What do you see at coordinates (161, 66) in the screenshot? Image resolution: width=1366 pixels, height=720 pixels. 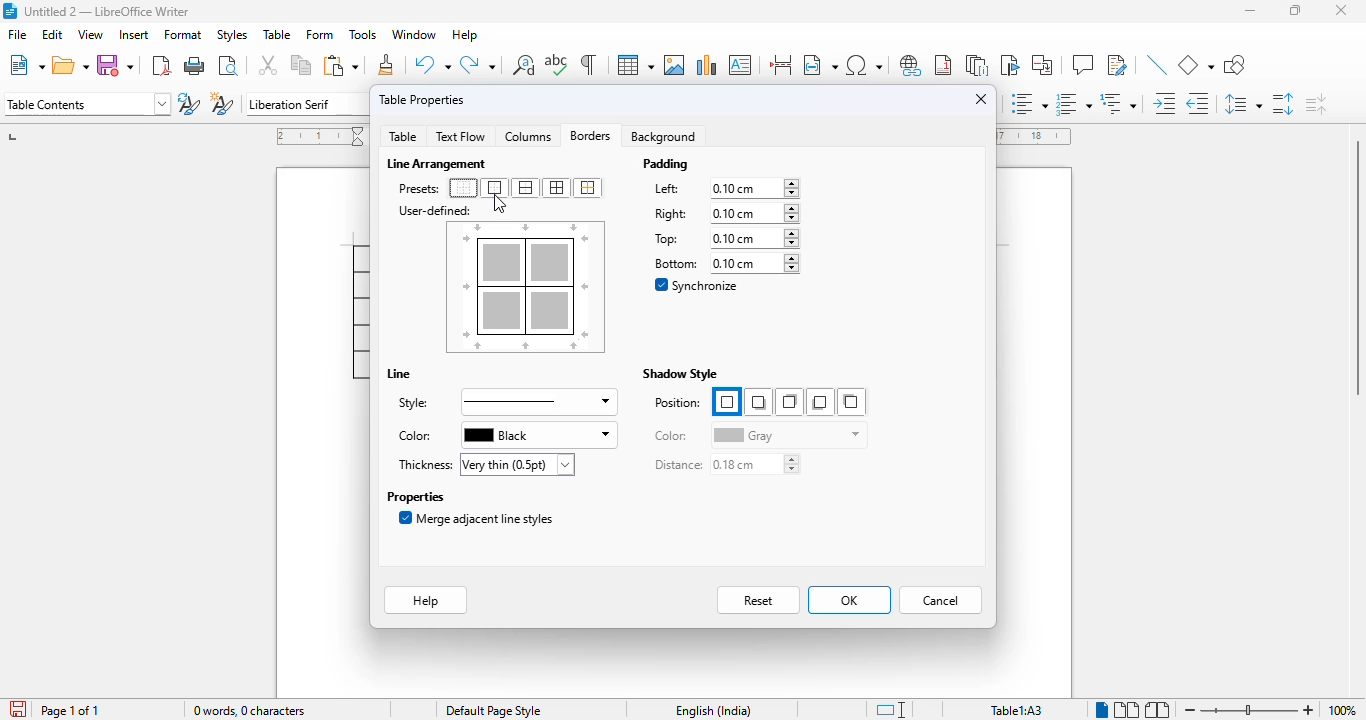 I see `export directly as PDF` at bounding box center [161, 66].